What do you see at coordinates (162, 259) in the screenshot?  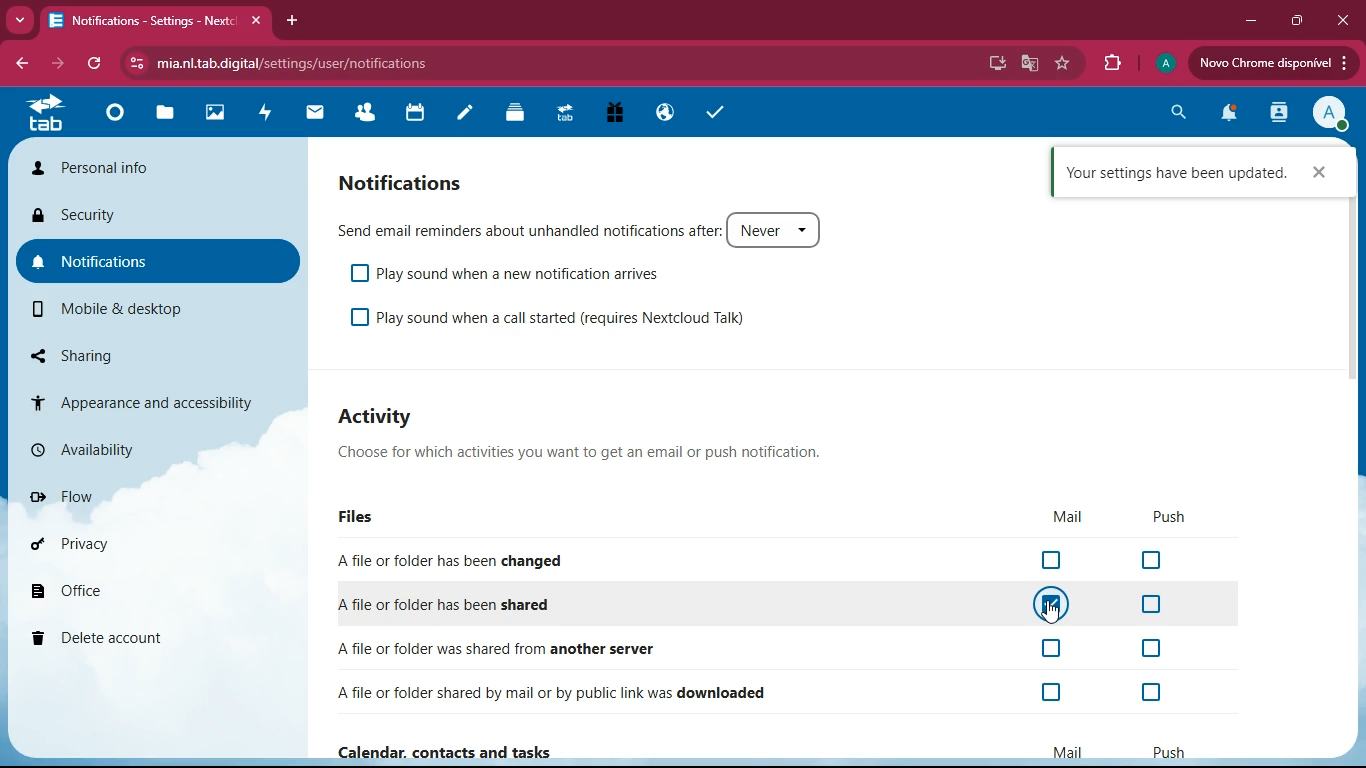 I see `notifications` at bounding box center [162, 259].